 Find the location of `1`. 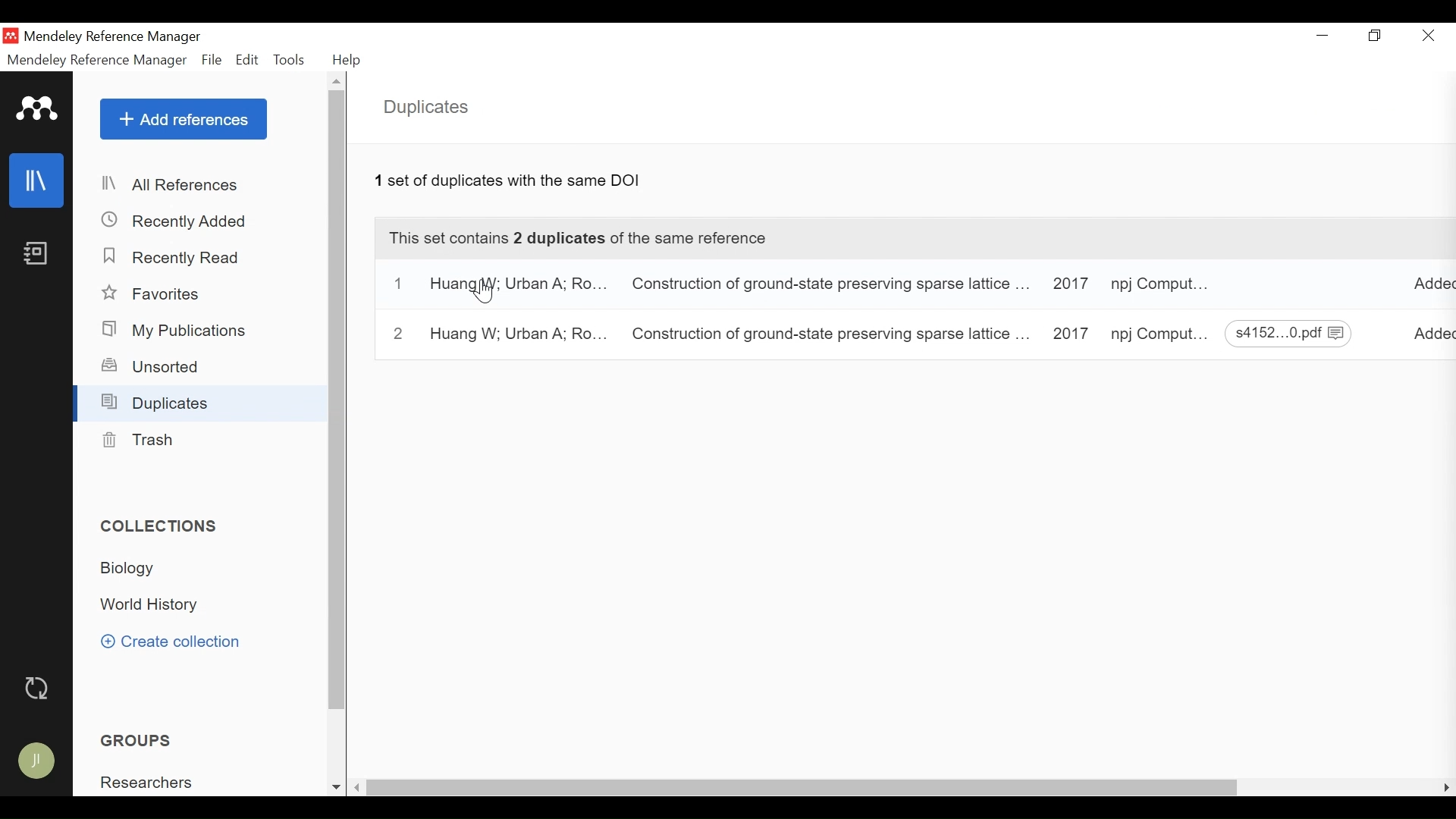

1 is located at coordinates (400, 285).